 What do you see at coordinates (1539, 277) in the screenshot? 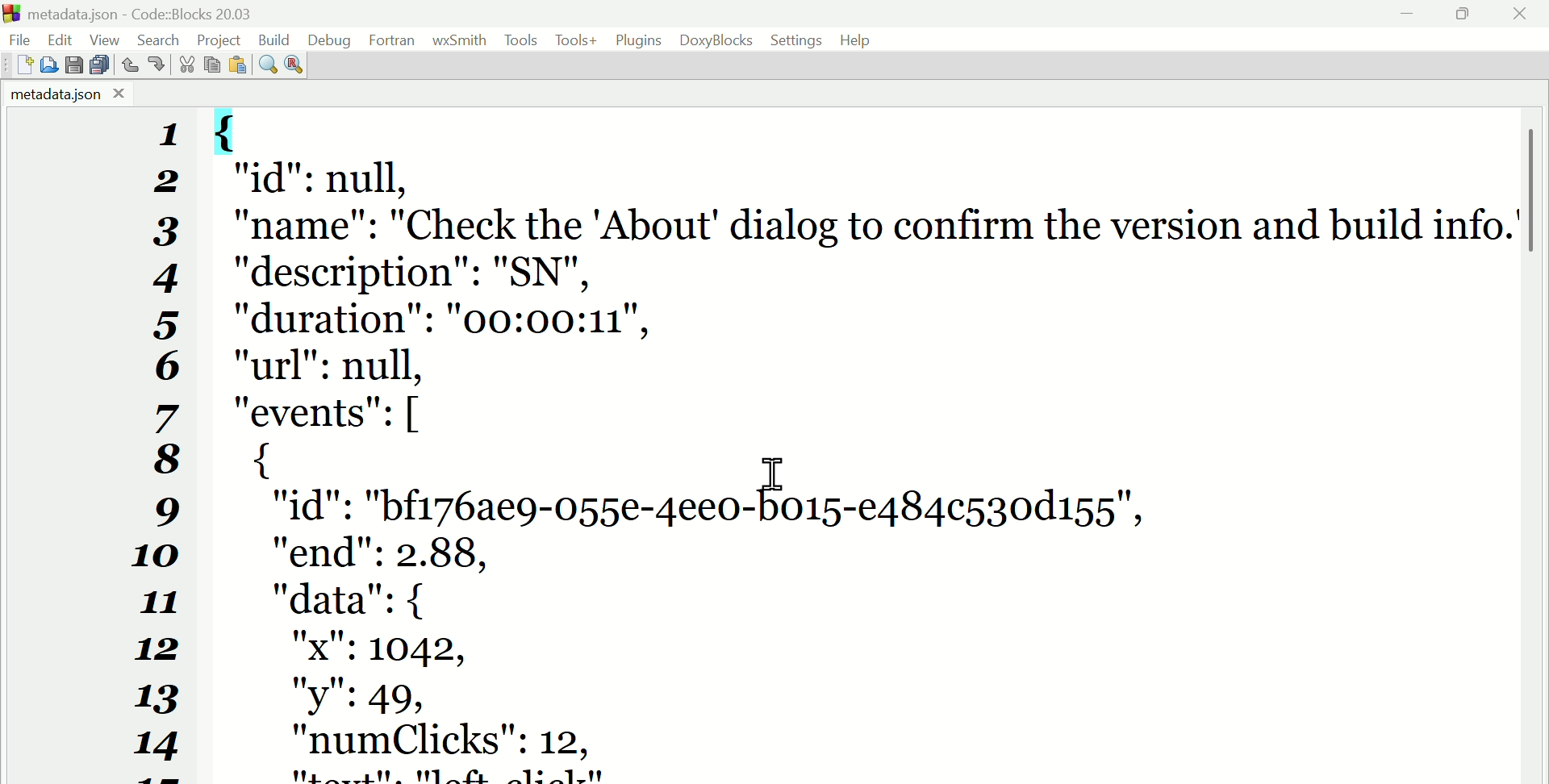
I see `vertical scroll bar` at bounding box center [1539, 277].